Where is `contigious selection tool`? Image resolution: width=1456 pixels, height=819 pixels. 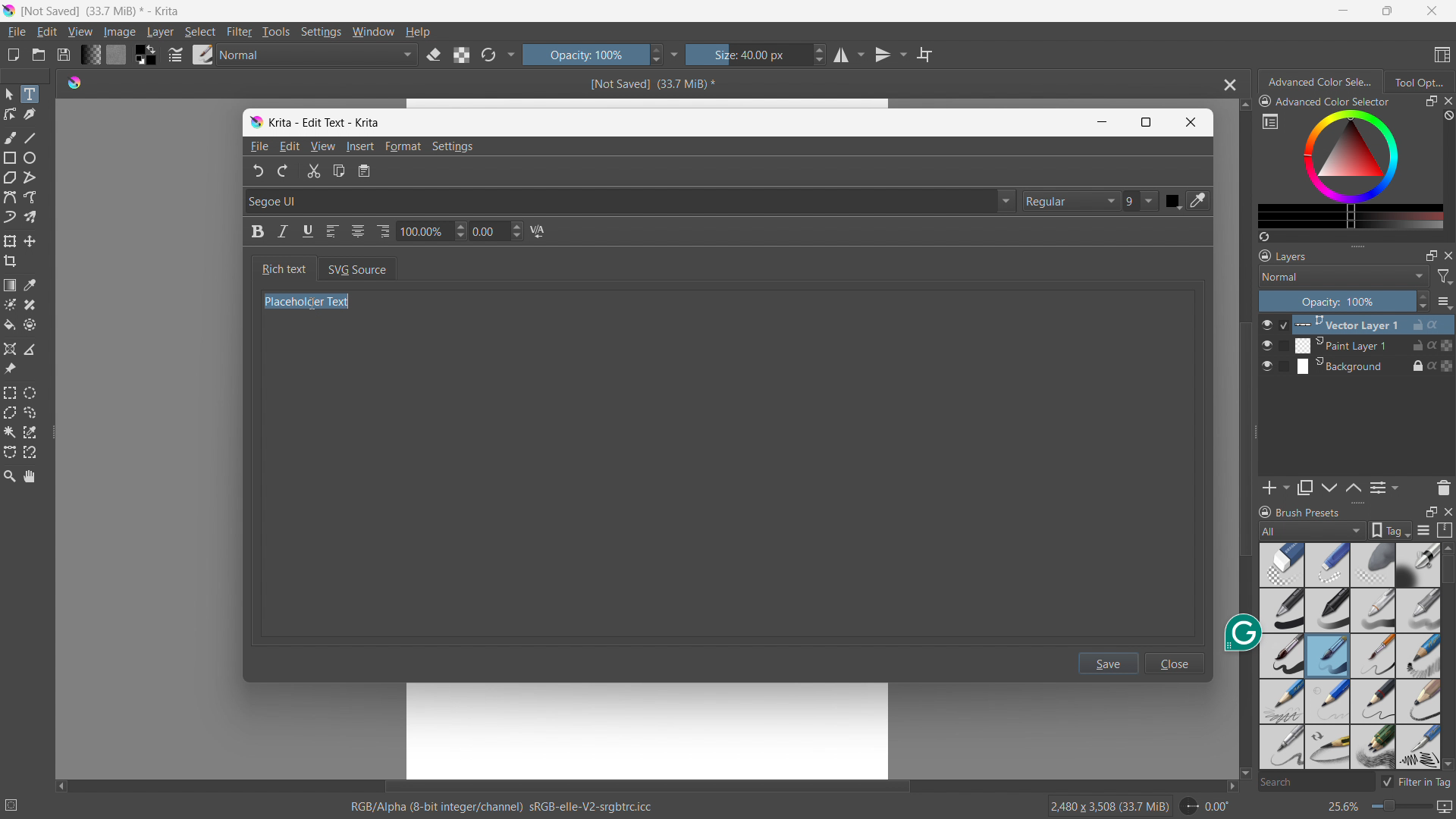 contigious selection tool is located at coordinates (10, 432).